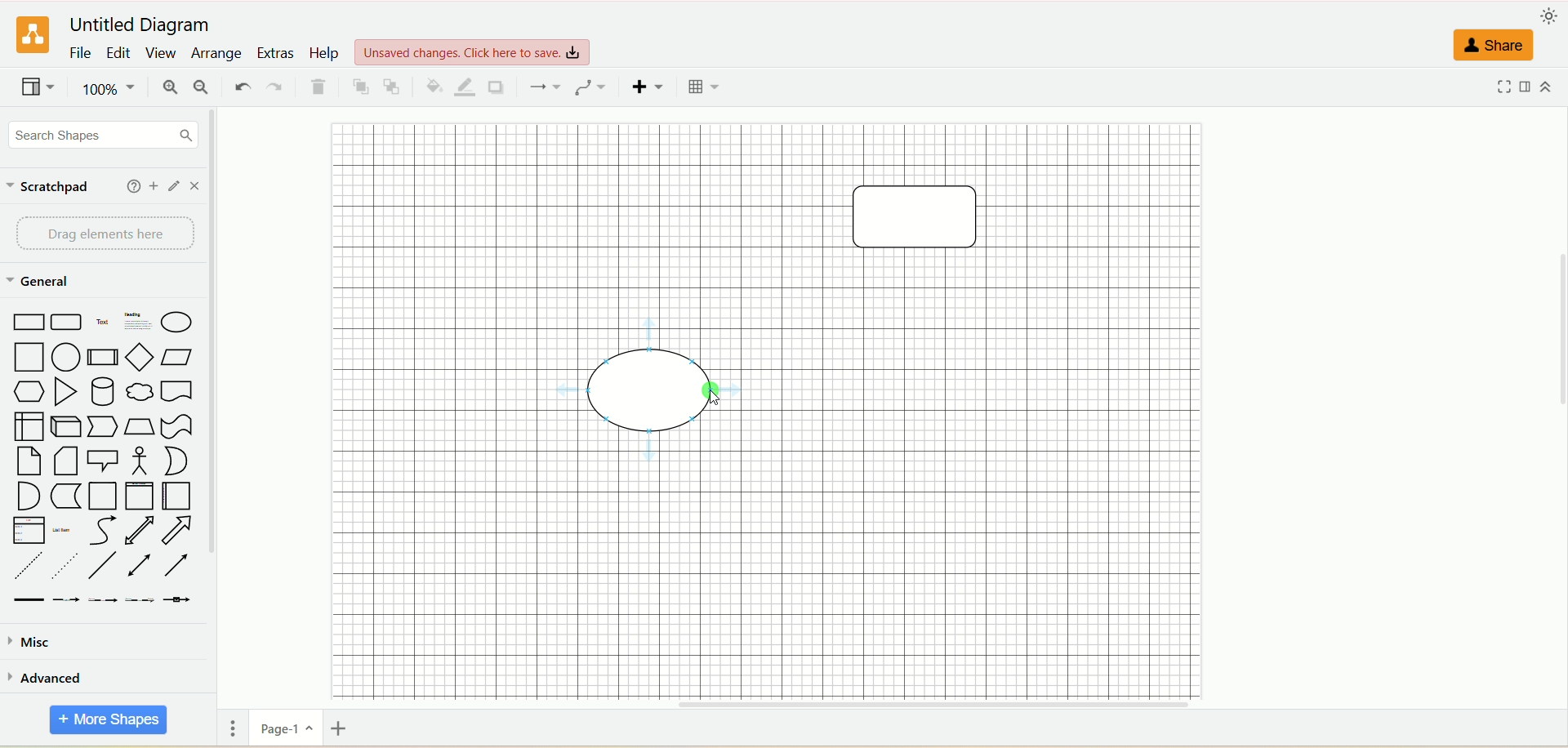 The image size is (1568, 748). I want to click on page-1, so click(283, 728).